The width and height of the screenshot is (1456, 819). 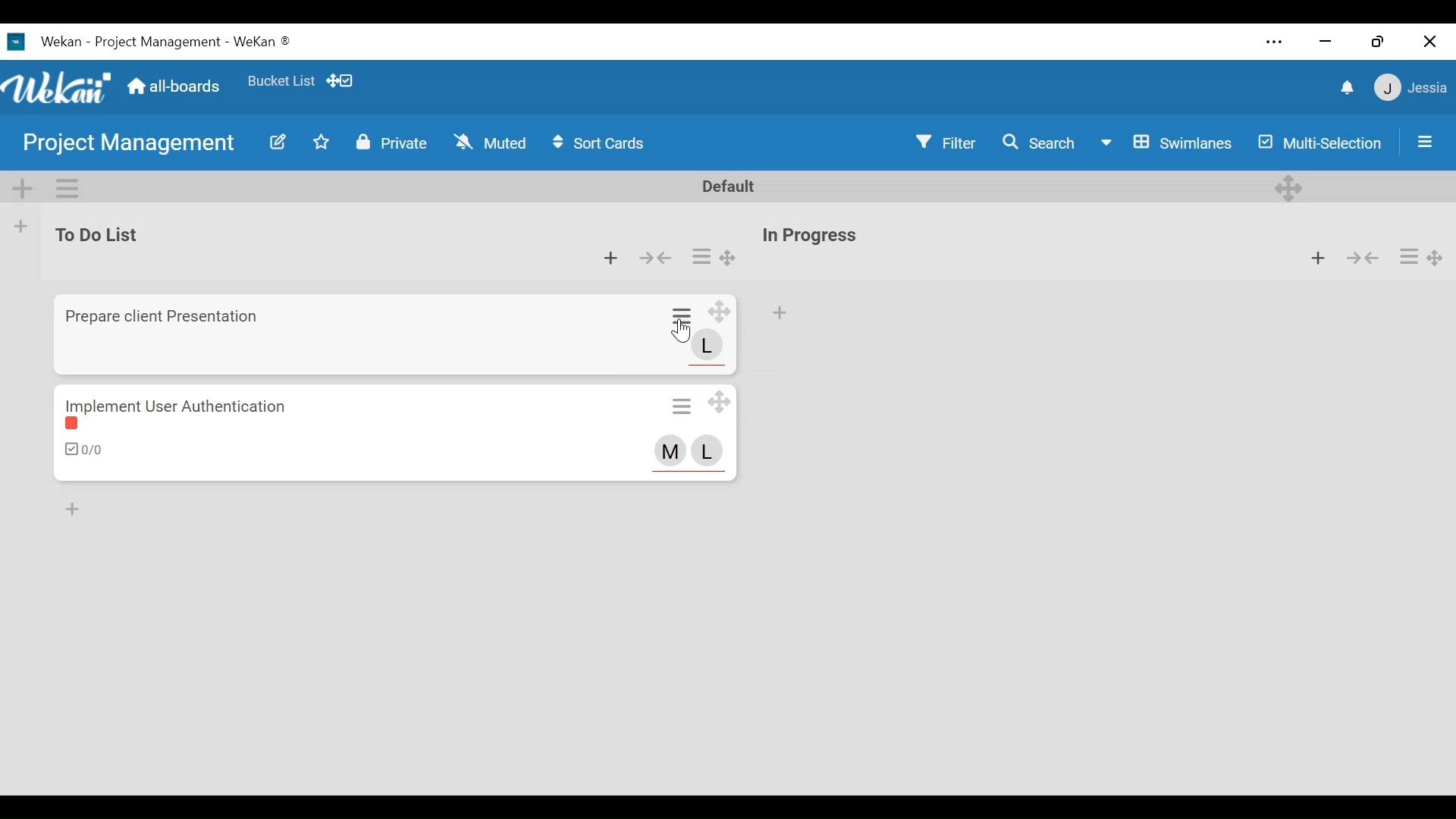 What do you see at coordinates (72, 510) in the screenshot?
I see `Add Card to Botton of the list` at bounding box center [72, 510].